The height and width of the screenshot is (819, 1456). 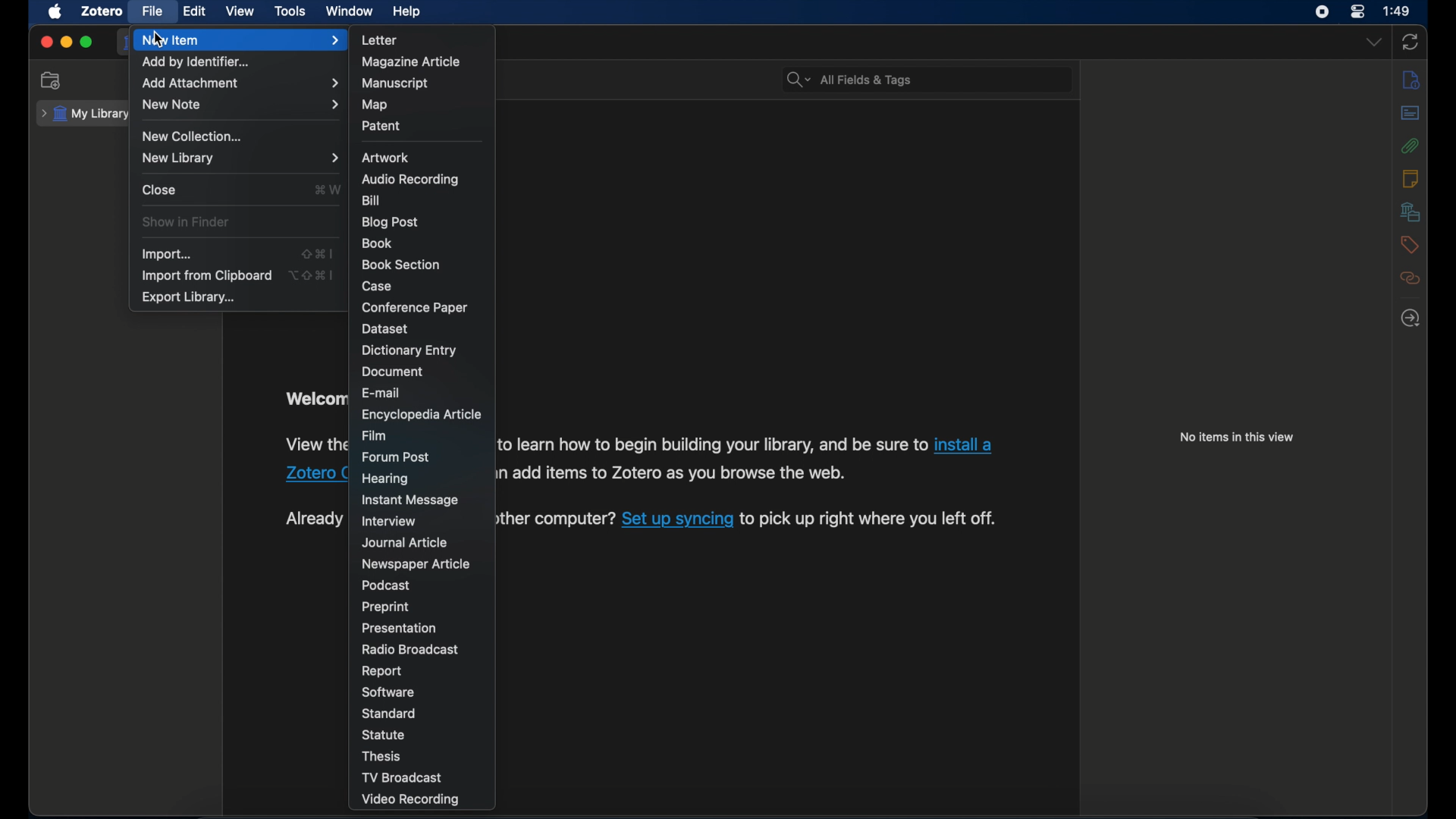 I want to click on to pick up right where you left off., so click(x=871, y=519).